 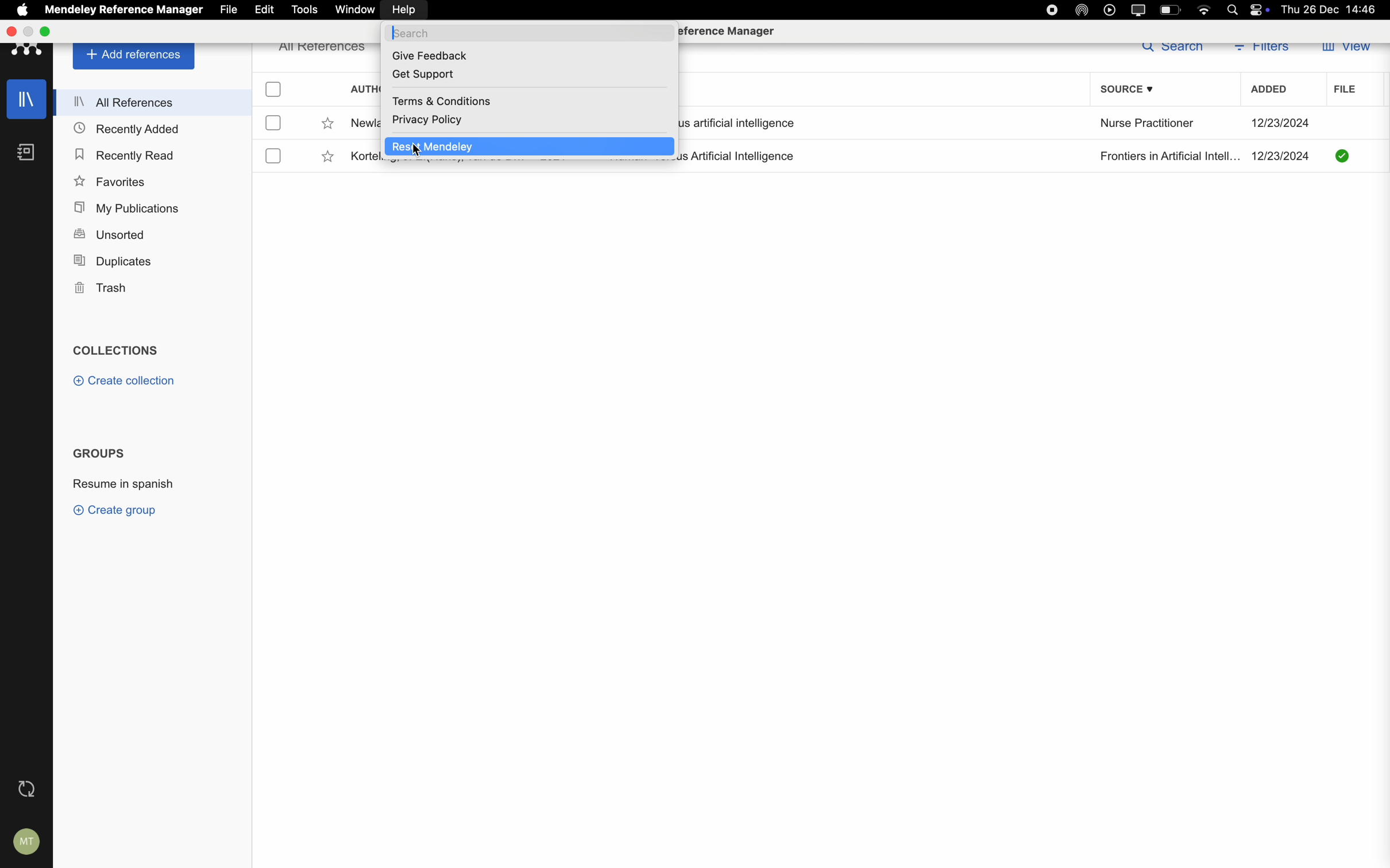 I want to click on authors, so click(x=362, y=90).